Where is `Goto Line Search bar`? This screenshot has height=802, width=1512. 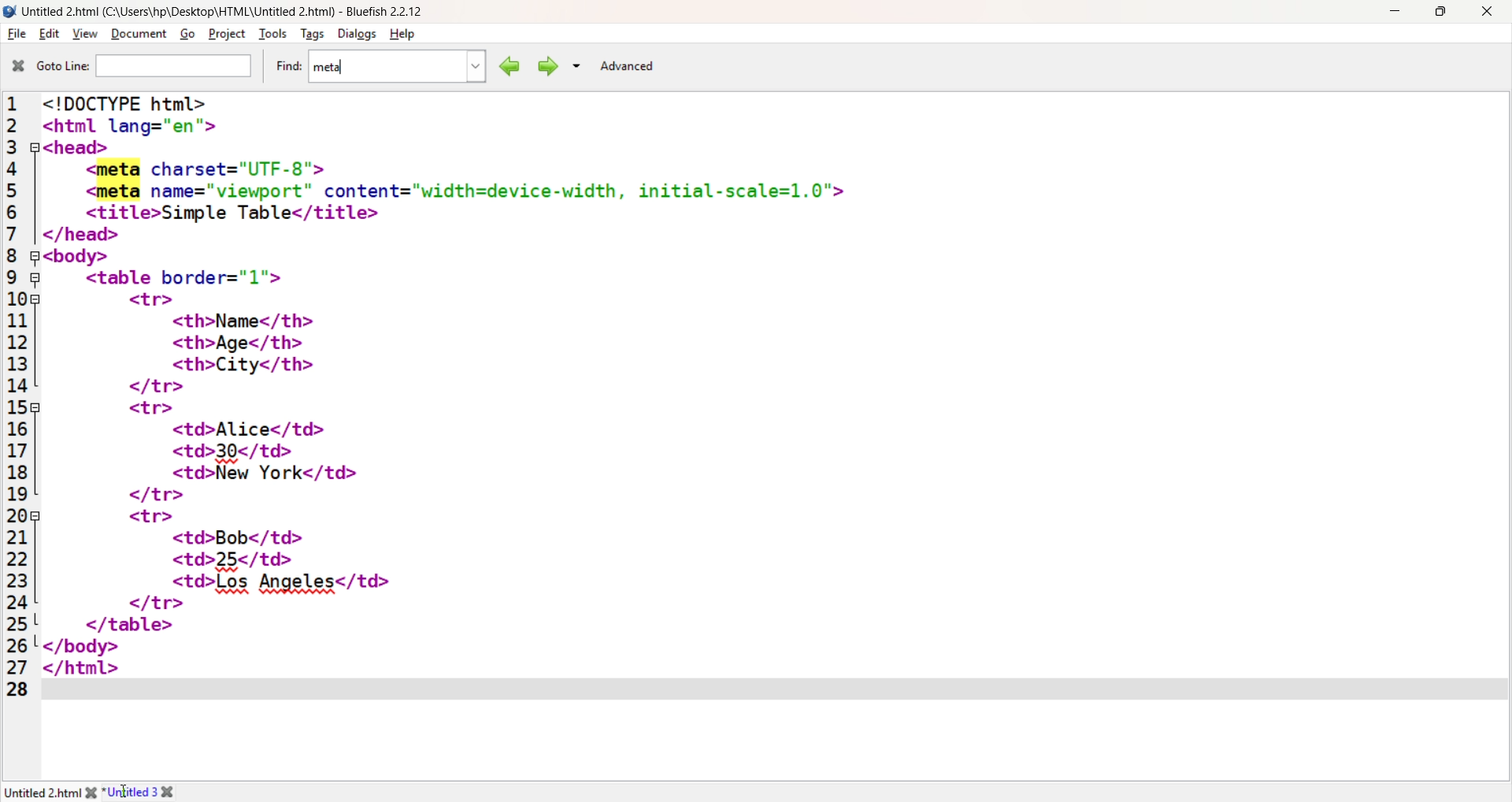
Goto Line Search bar is located at coordinates (175, 67).